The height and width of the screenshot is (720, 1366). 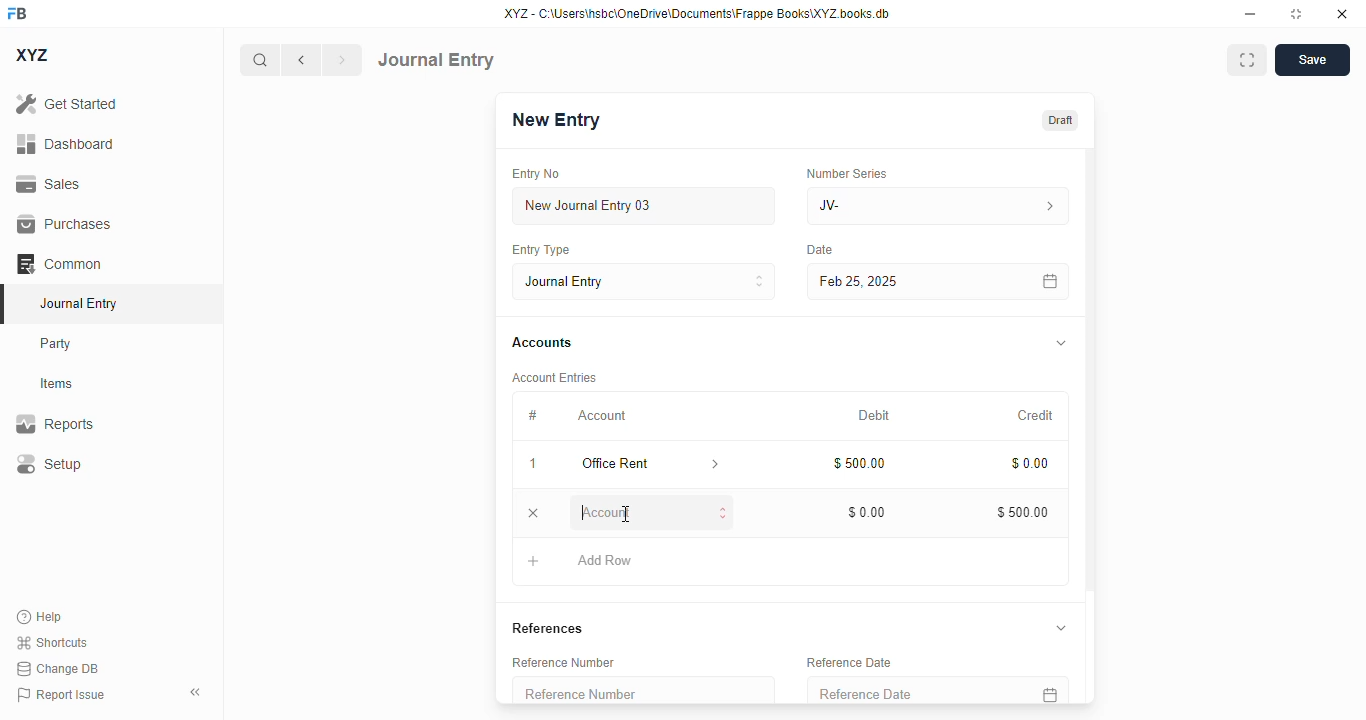 What do you see at coordinates (1313, 60) in the screenshot?
I see `save` at bounding box center [1313, 60].